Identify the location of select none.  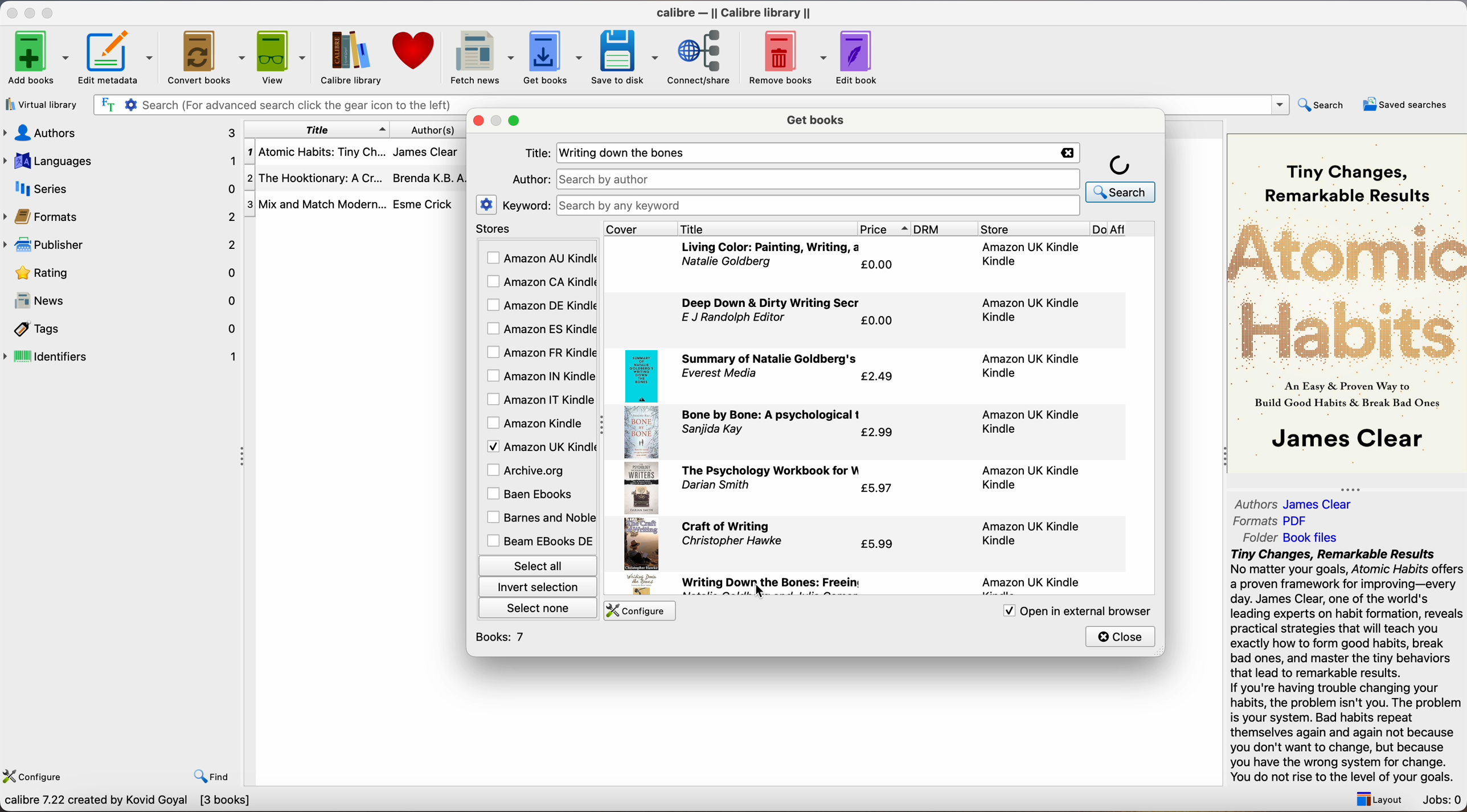
(539, 607).